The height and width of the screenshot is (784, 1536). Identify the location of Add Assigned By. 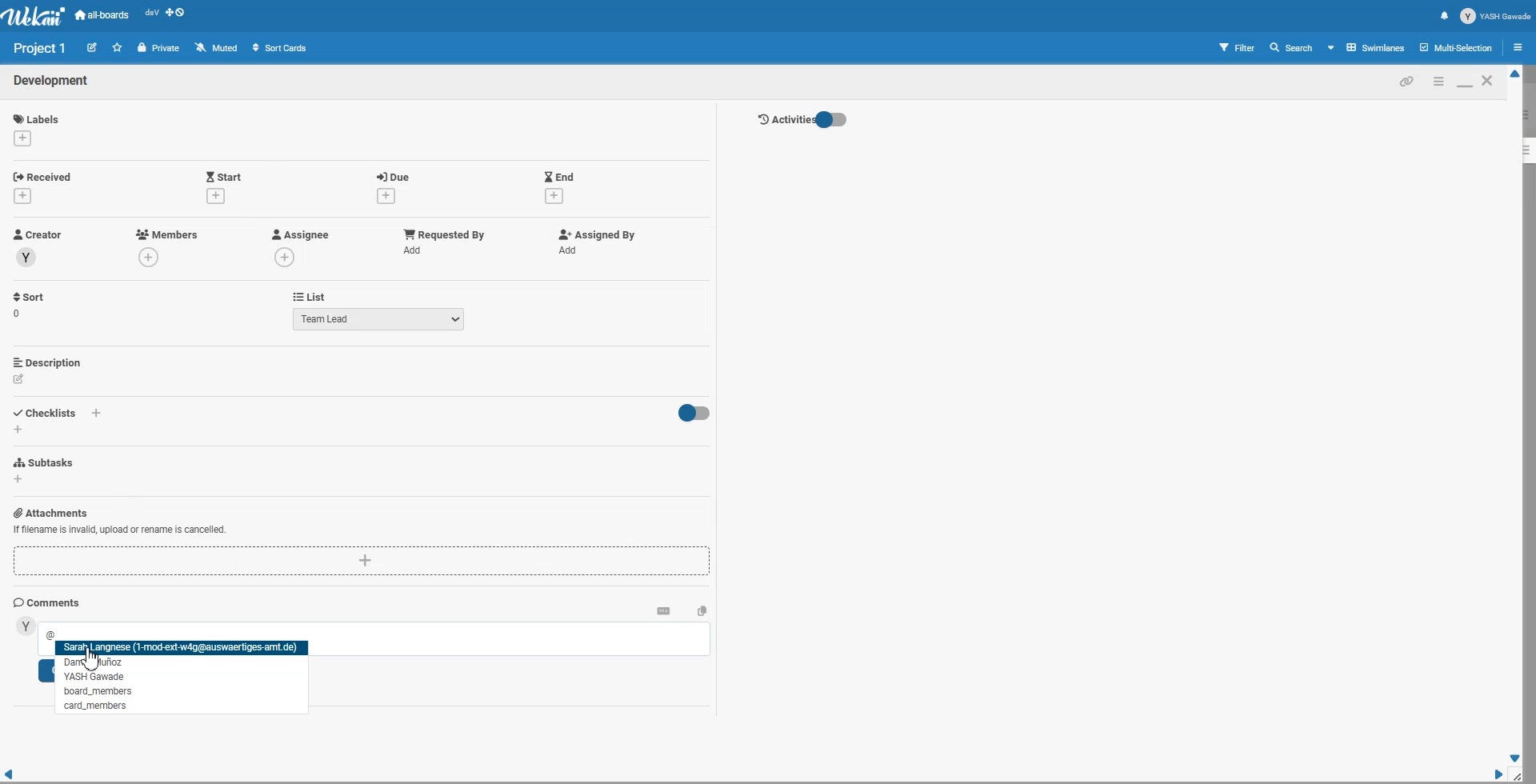
(594, 234).